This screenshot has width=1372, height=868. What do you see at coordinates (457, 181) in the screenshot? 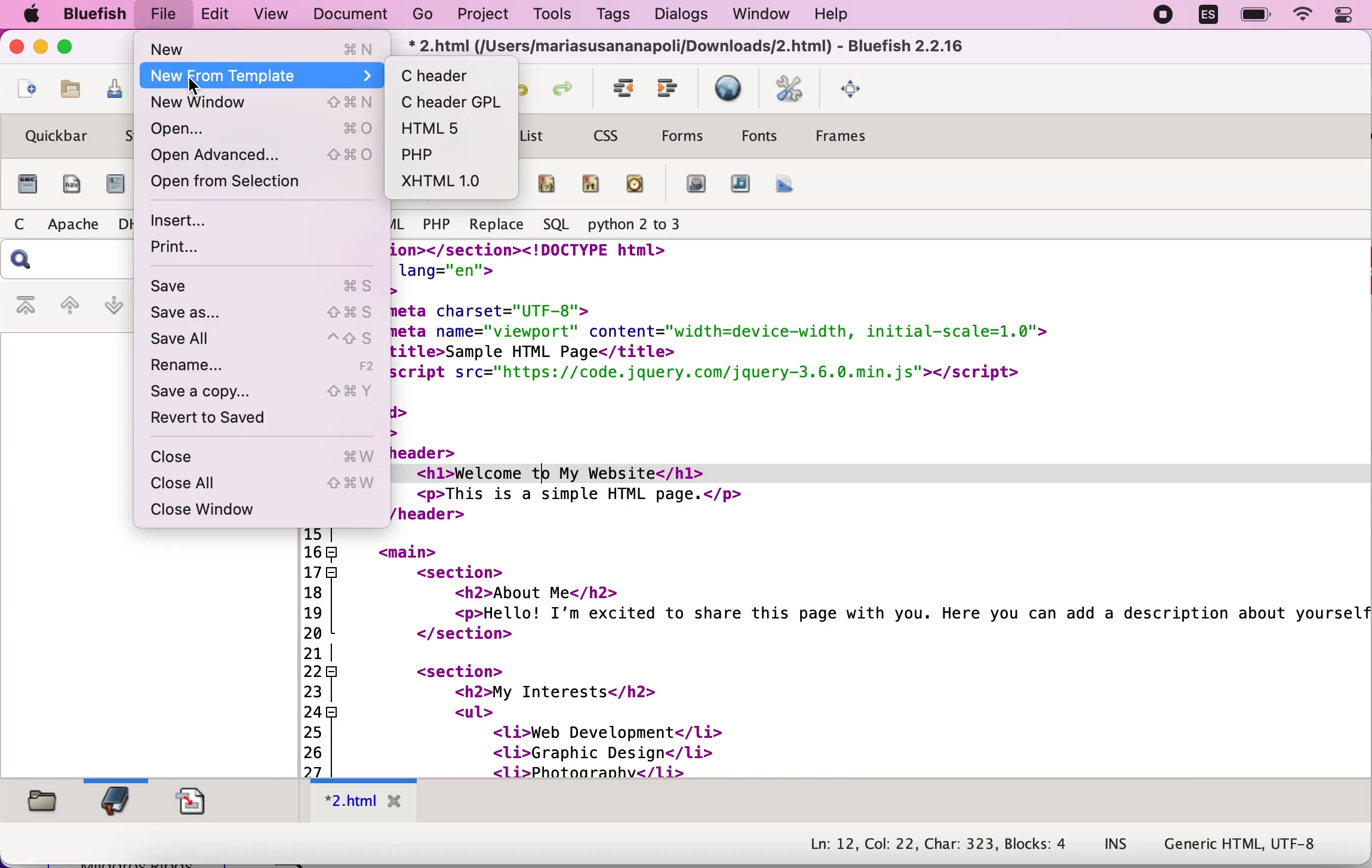
I see `xhtml 1.0` at bounding box center [457, 181].